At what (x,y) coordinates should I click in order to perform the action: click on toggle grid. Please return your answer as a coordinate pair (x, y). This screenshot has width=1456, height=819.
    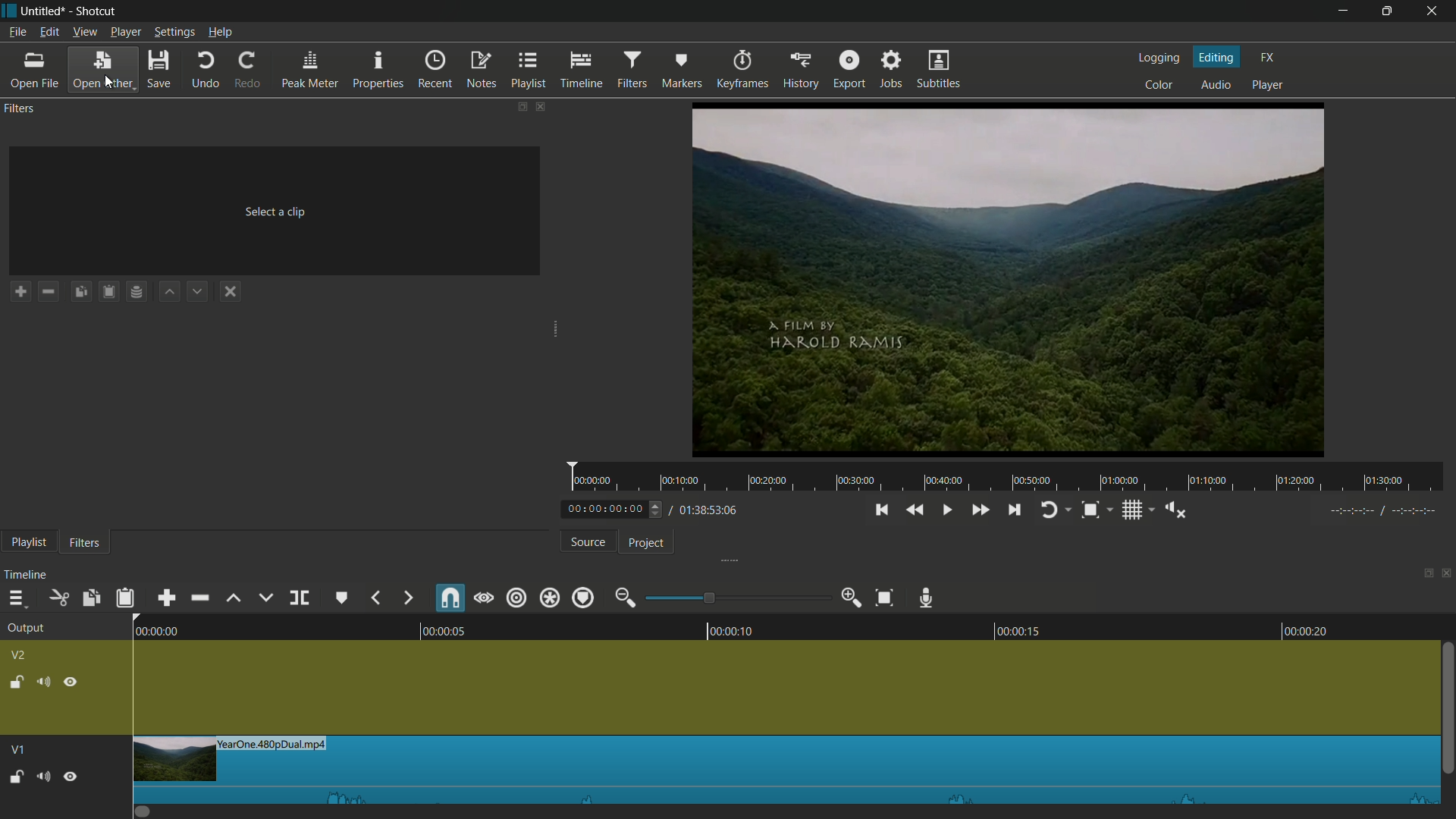
    Looking at the image, I should click on (1131, 510).